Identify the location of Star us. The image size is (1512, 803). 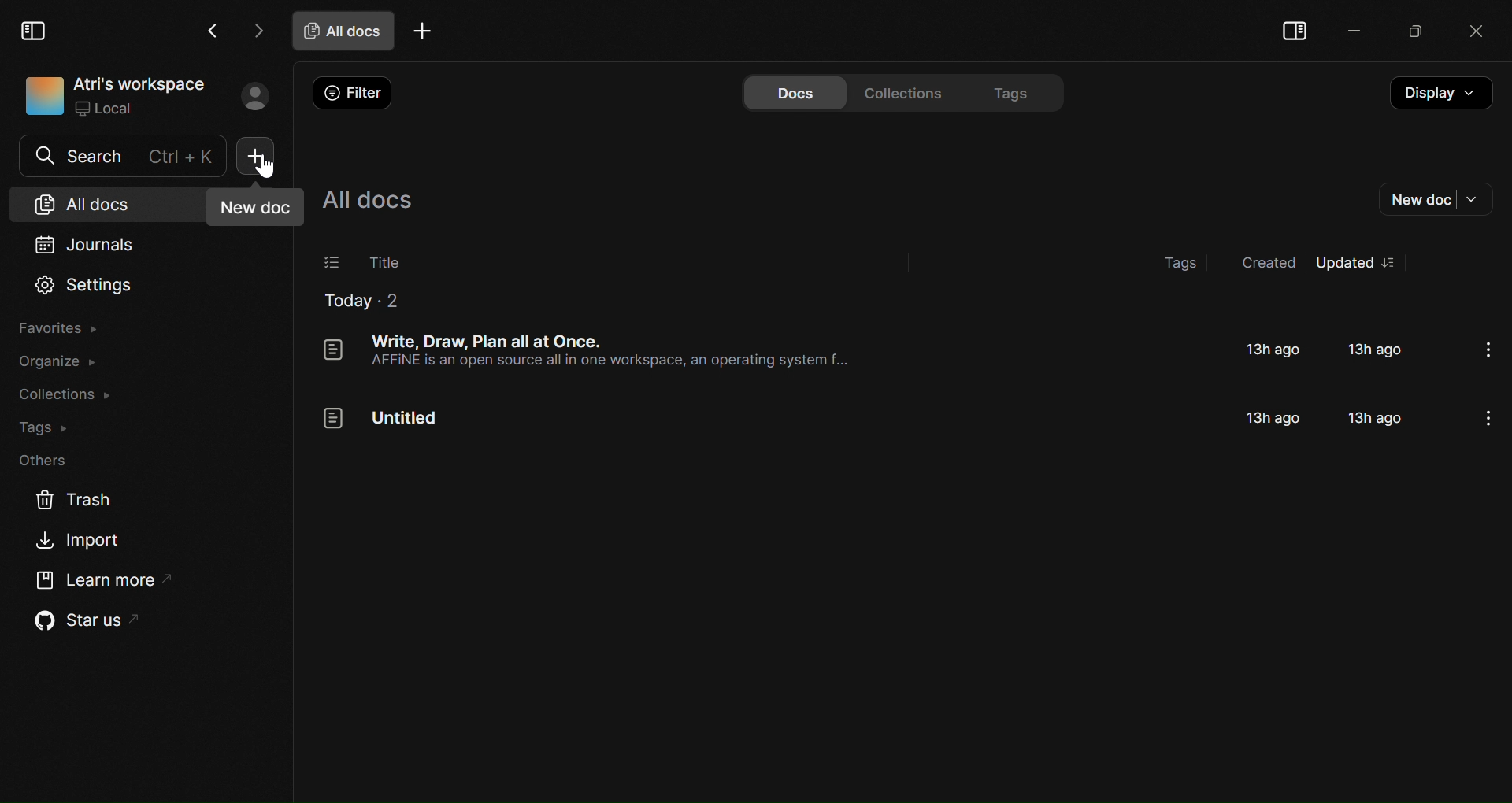
(80, 620).